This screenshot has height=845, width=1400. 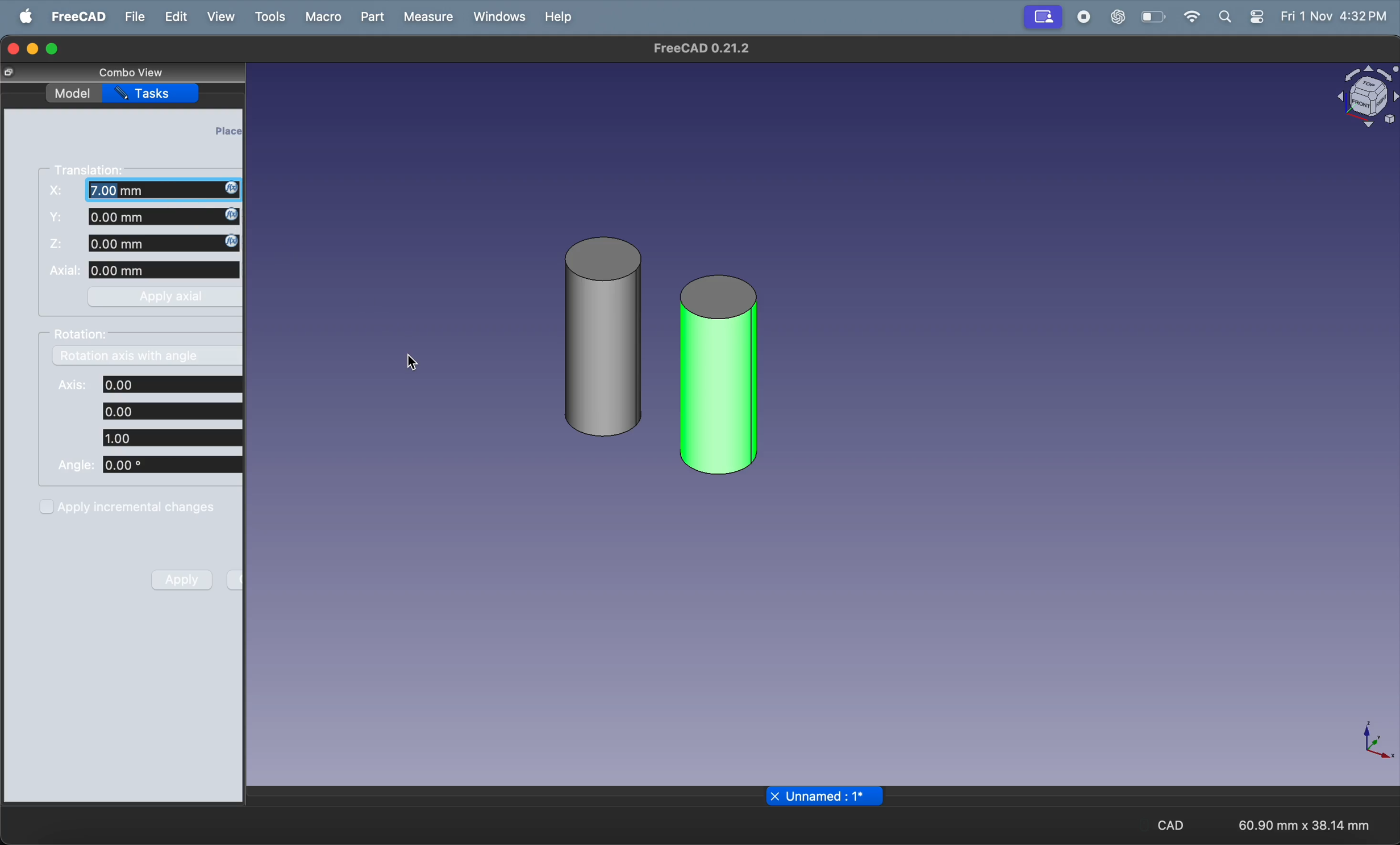 I want to click on X:, so click(x=58, y=191).